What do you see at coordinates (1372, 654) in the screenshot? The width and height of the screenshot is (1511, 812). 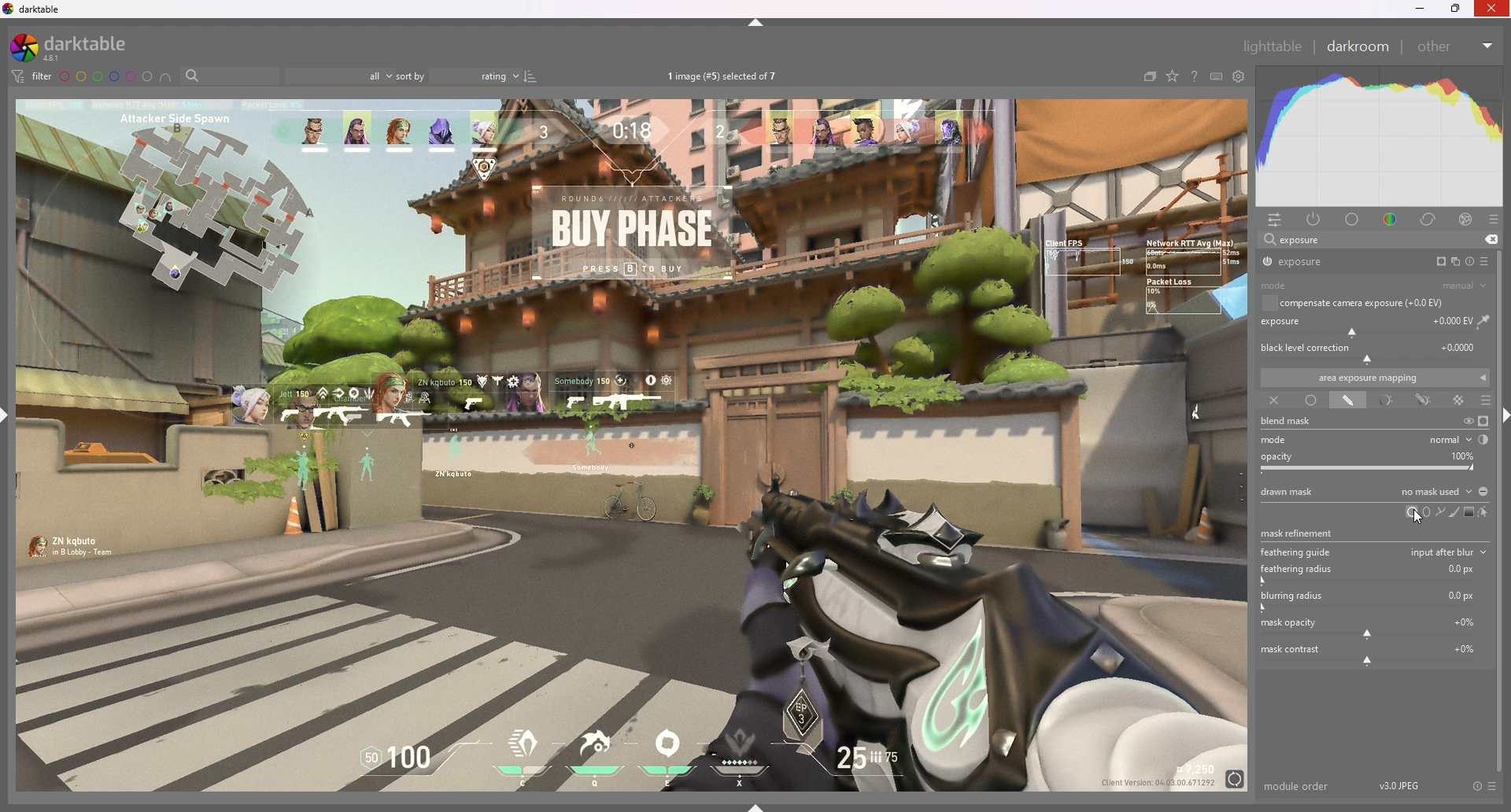 I see `mask contrast` at bounding box center [1372, 654].